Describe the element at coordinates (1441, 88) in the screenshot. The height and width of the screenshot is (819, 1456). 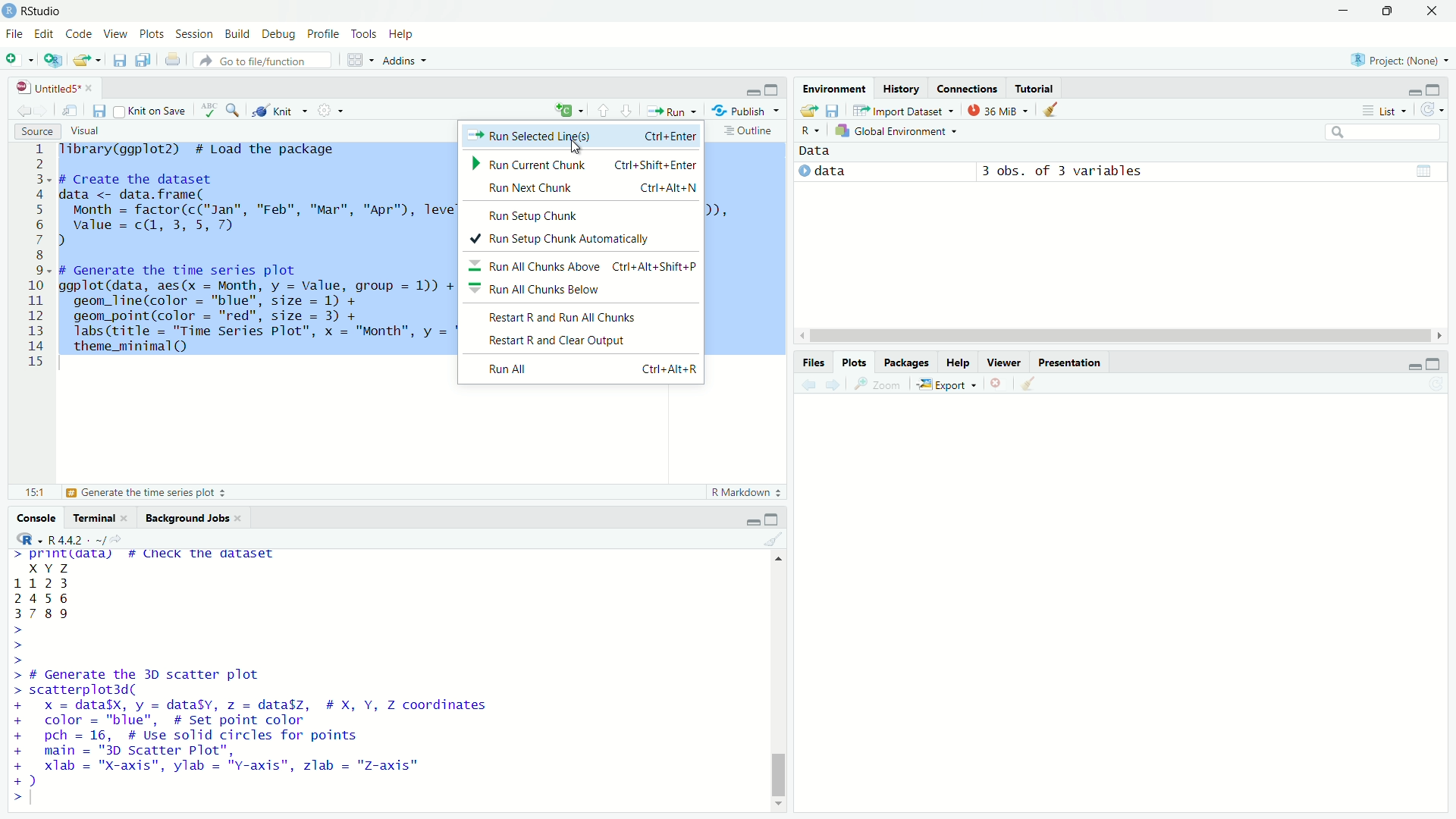
I see `maximize` at that location.